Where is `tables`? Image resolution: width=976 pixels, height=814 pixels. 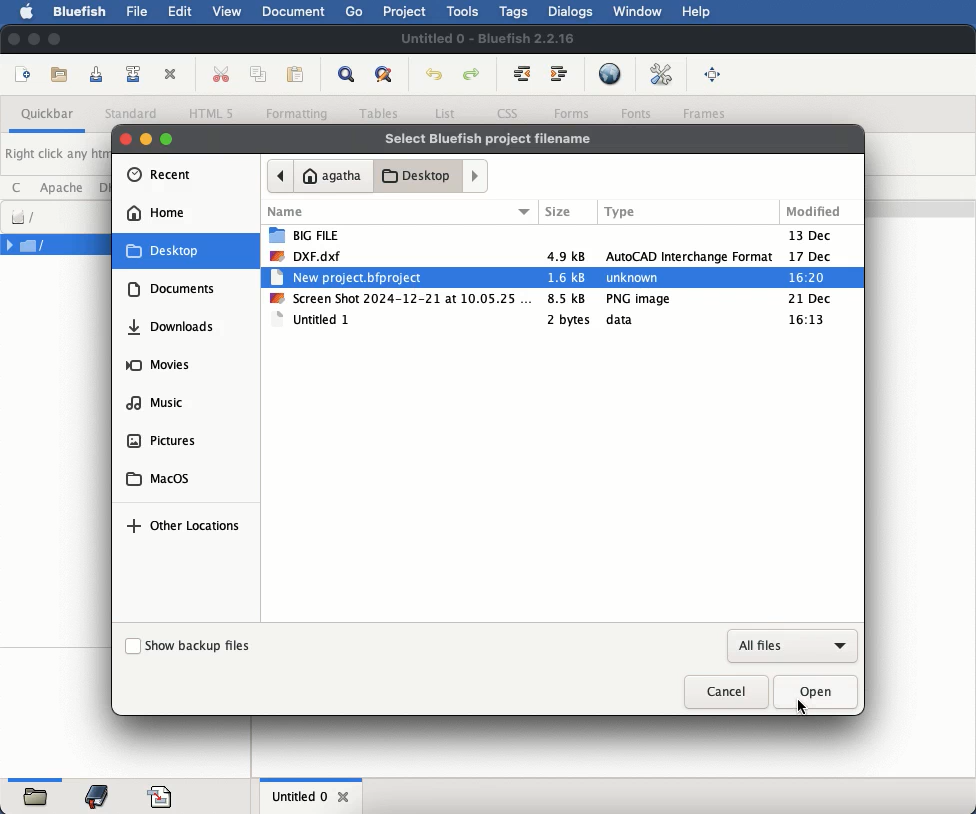
tables is located at coordinates (381, 114).